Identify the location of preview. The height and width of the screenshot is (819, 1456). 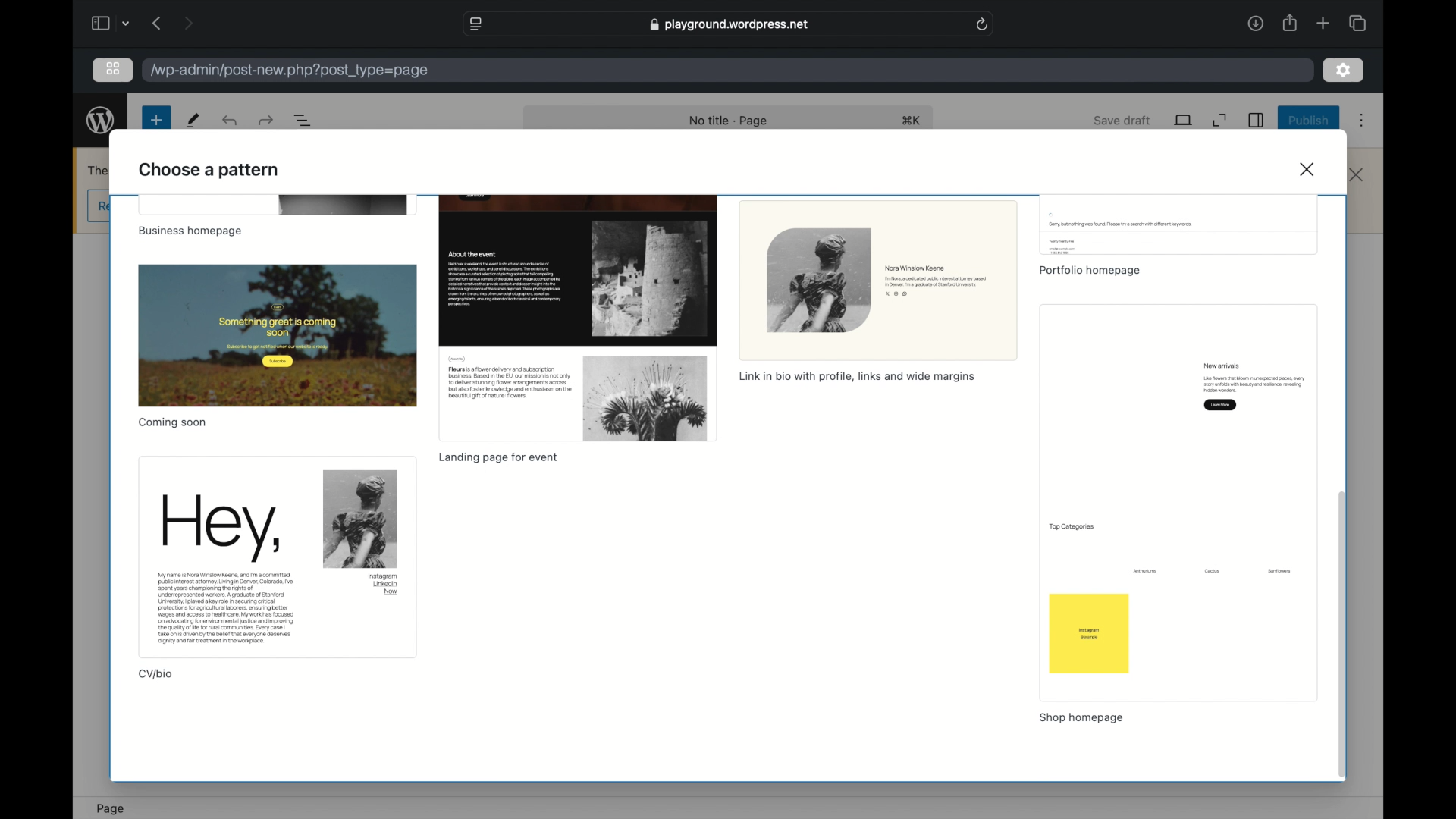
(278, 334).